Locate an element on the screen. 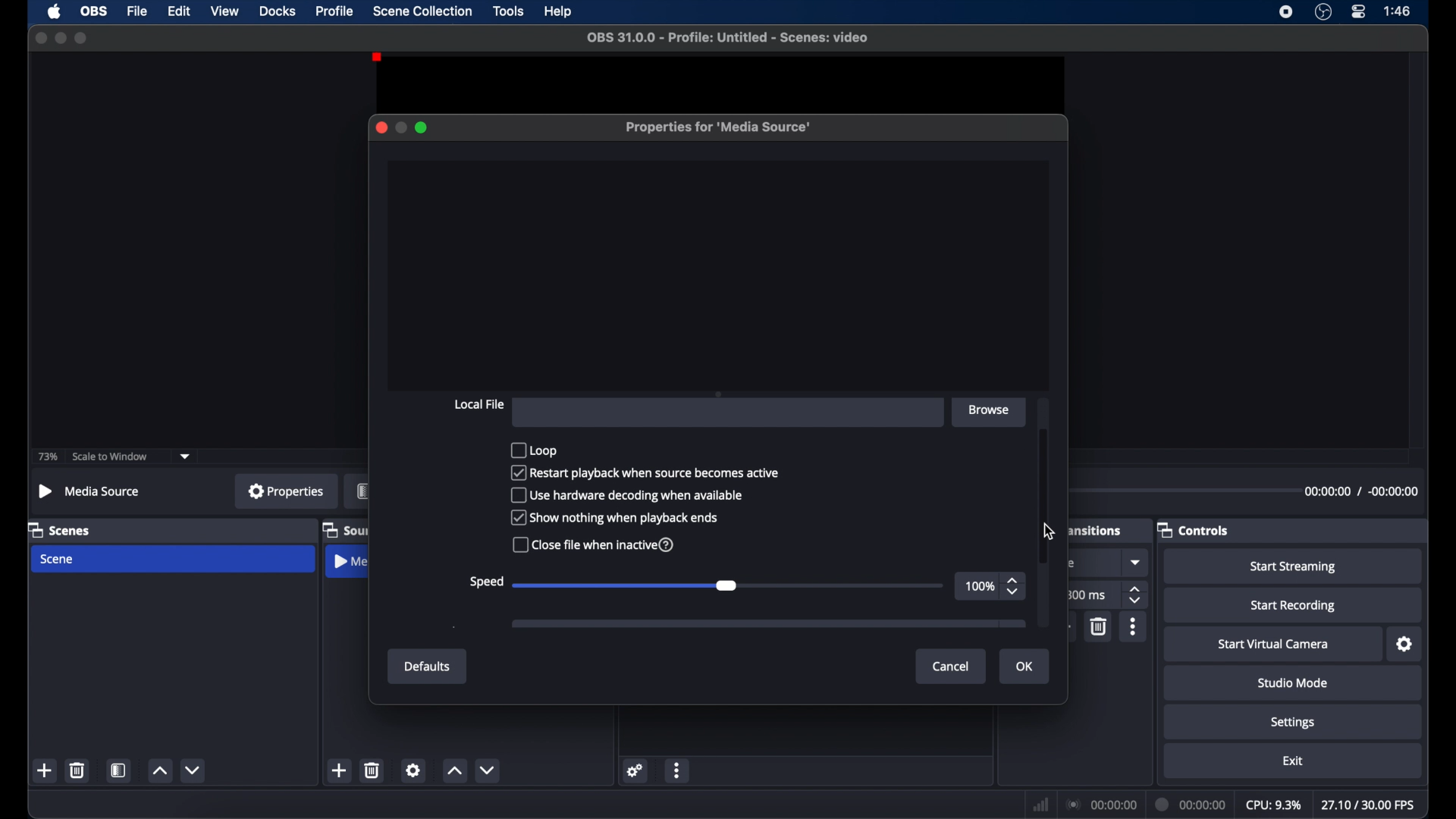  add is located at coordinates (45, 770).